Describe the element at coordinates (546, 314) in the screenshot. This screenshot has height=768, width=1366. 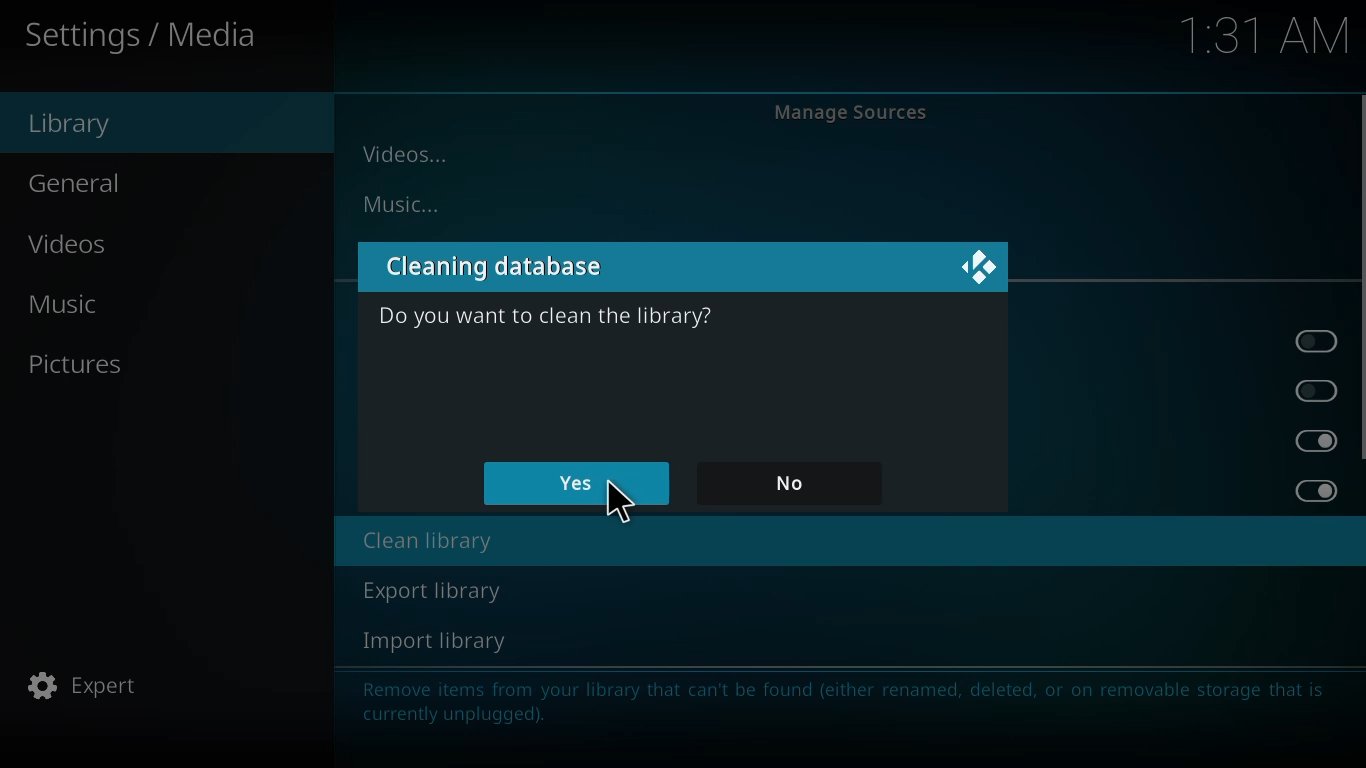
I see `confirm clean` at that location.